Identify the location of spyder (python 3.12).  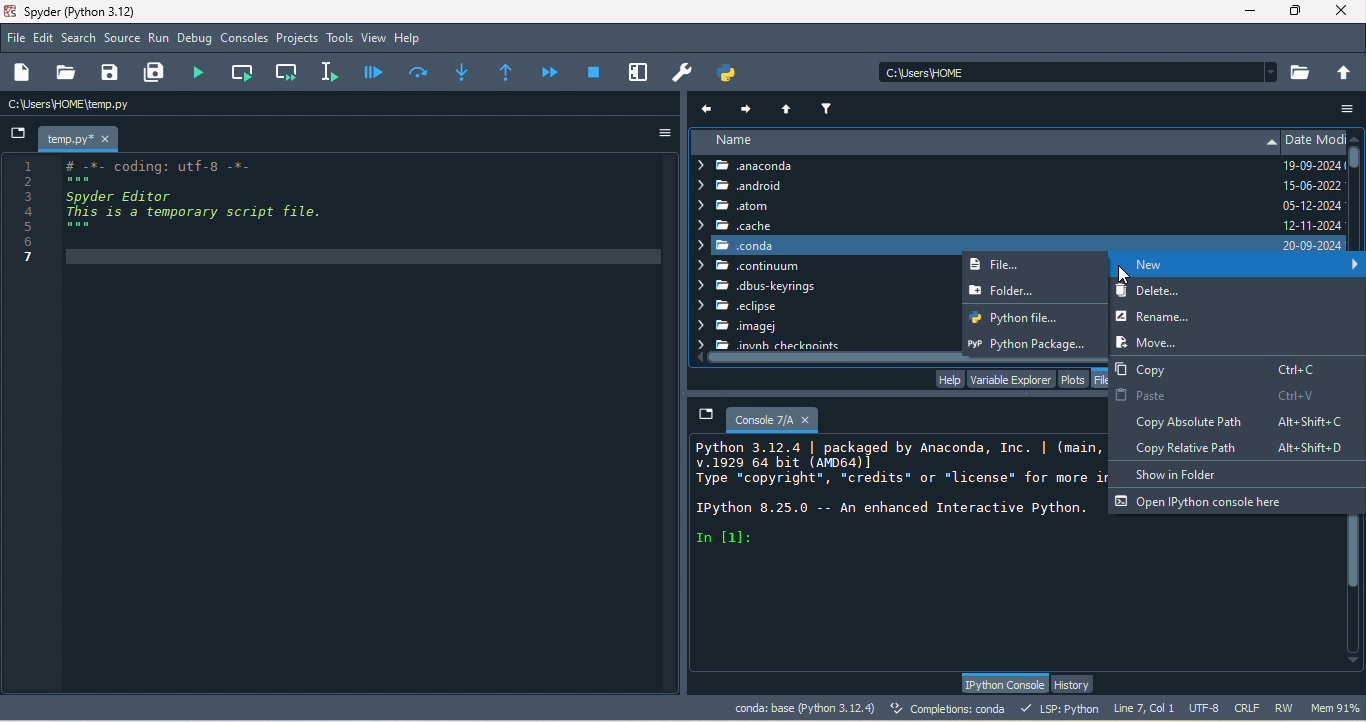
(89, 11).